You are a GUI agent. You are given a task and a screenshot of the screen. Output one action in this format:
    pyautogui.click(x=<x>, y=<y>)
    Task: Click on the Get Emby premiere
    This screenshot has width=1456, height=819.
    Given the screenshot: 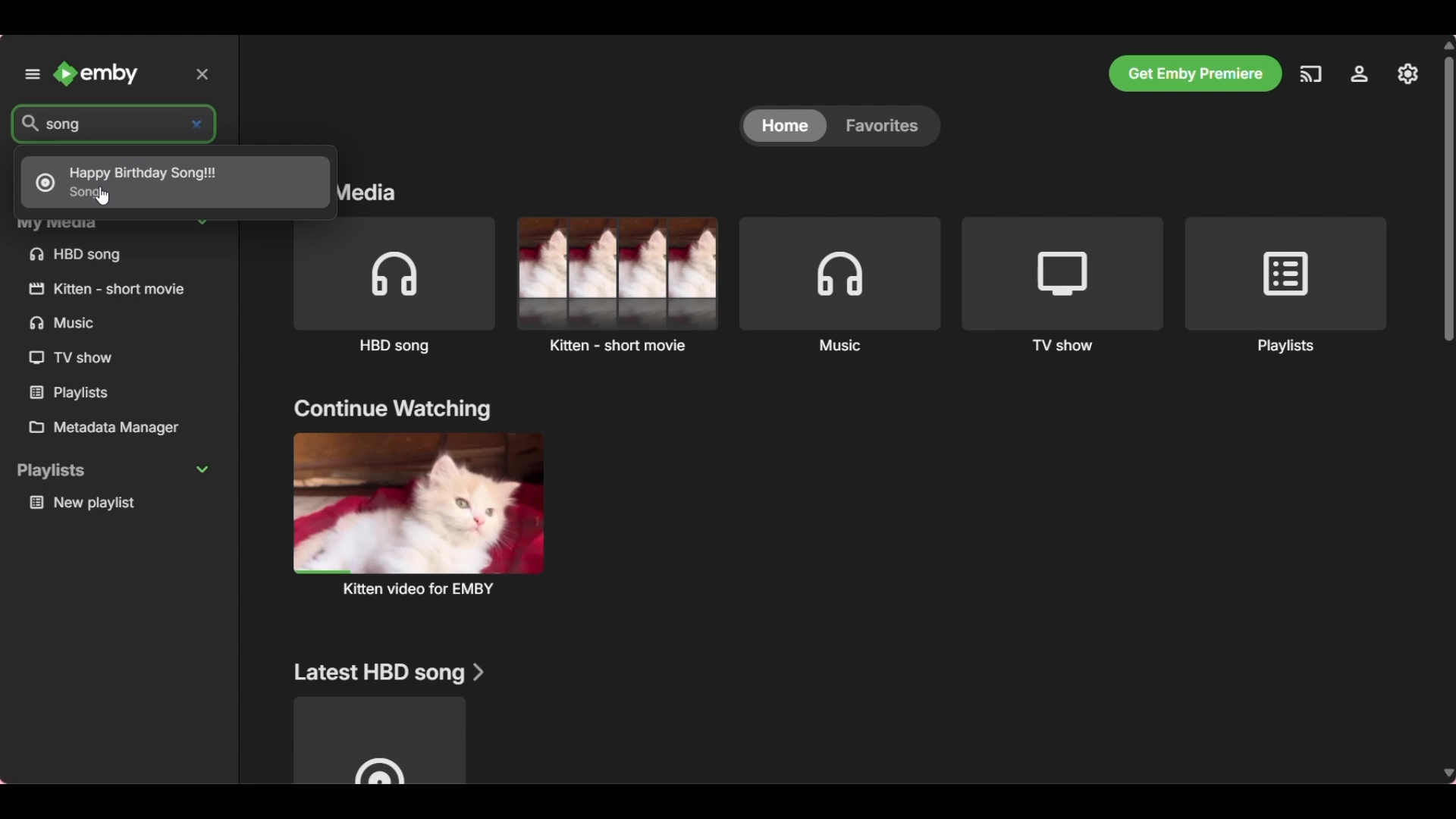 What is the action you would take?
    pyautogui.click(x=1195, y=74)
    